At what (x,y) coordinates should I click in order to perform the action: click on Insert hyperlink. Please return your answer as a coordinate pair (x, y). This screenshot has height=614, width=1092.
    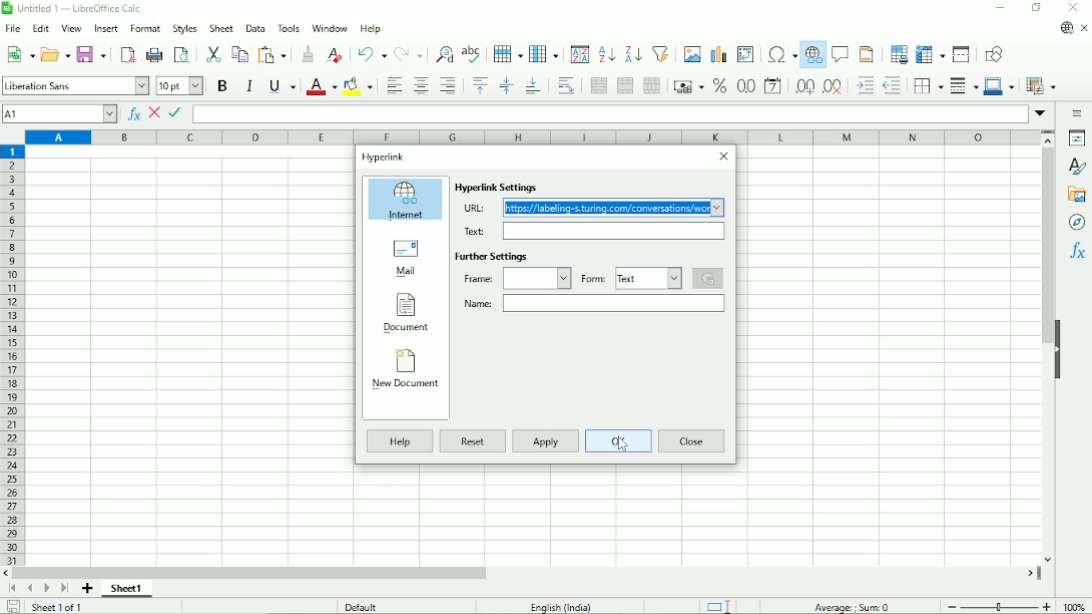
    Looking at the image, I should click on (813, 56).